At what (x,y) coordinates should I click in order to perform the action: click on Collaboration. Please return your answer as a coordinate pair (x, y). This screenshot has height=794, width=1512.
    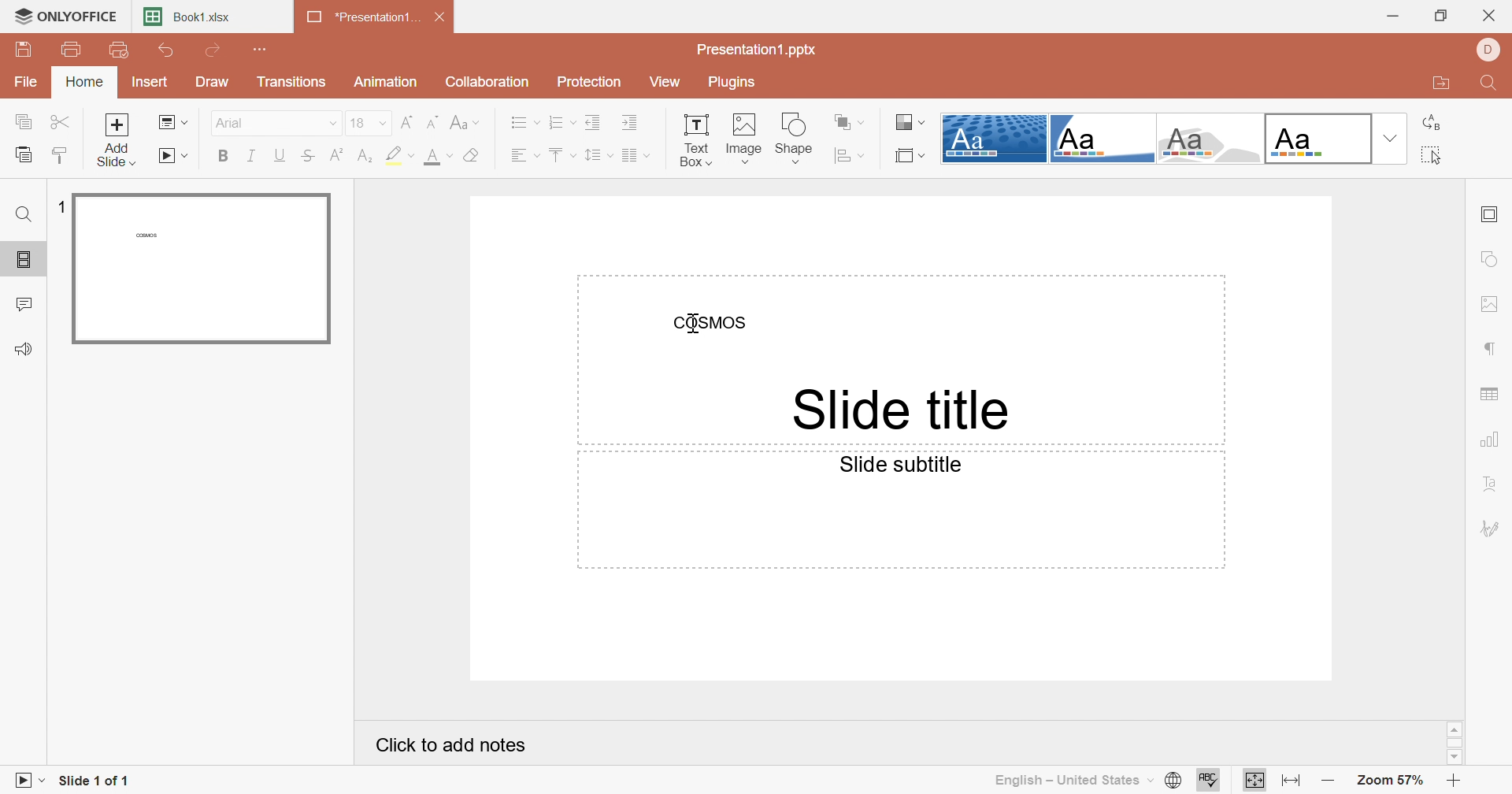
    Looking at the image, I should click on (483, 80).